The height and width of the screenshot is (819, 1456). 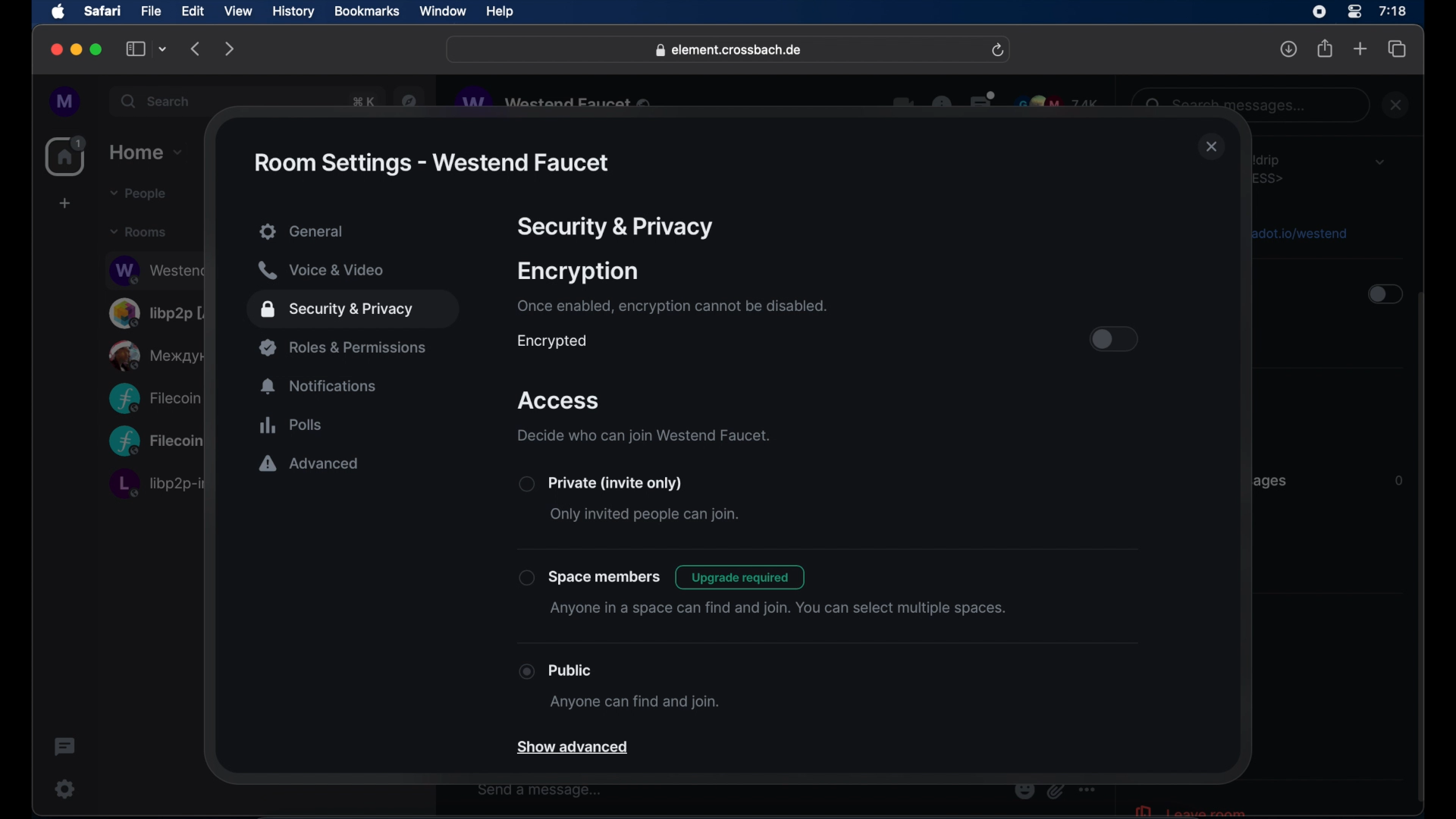 What do you see at coordinates (1115, 339) in the screenshot?
I see `toggle button` at bounding box center [1115, 339].